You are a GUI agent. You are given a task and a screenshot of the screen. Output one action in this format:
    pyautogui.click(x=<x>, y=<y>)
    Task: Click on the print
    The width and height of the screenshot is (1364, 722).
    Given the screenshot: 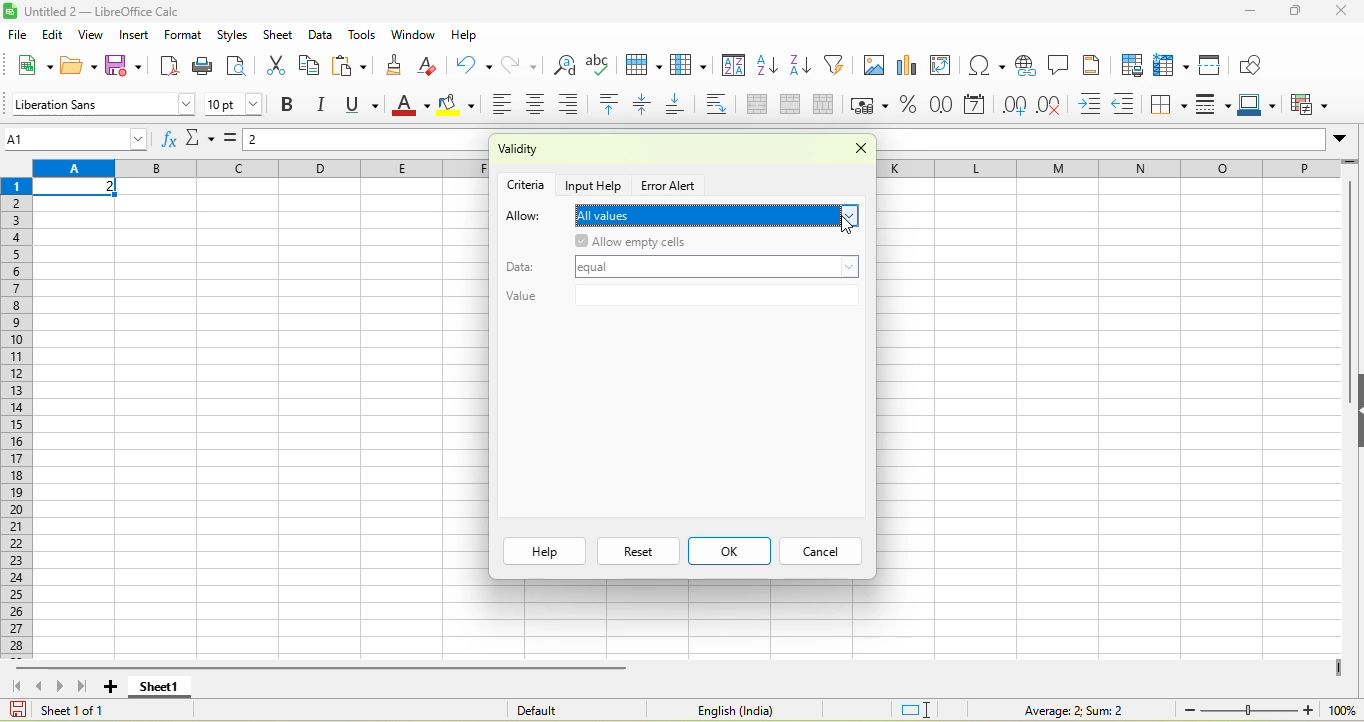 What is the action you would take?
    pyautogui.click(x=204, y=65)
    